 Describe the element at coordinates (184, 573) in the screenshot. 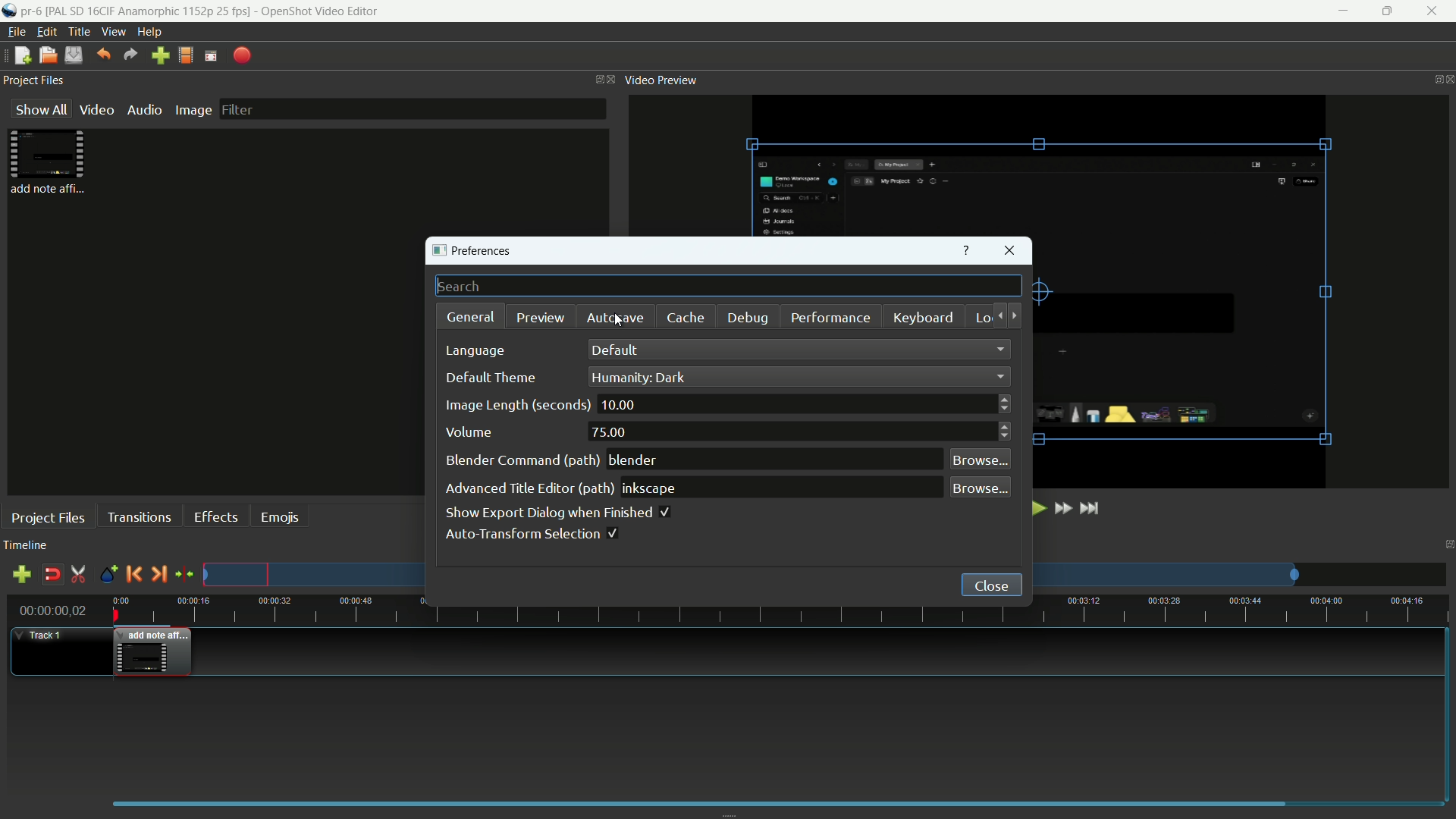

I see `center the timeline on the playhead` at that location.